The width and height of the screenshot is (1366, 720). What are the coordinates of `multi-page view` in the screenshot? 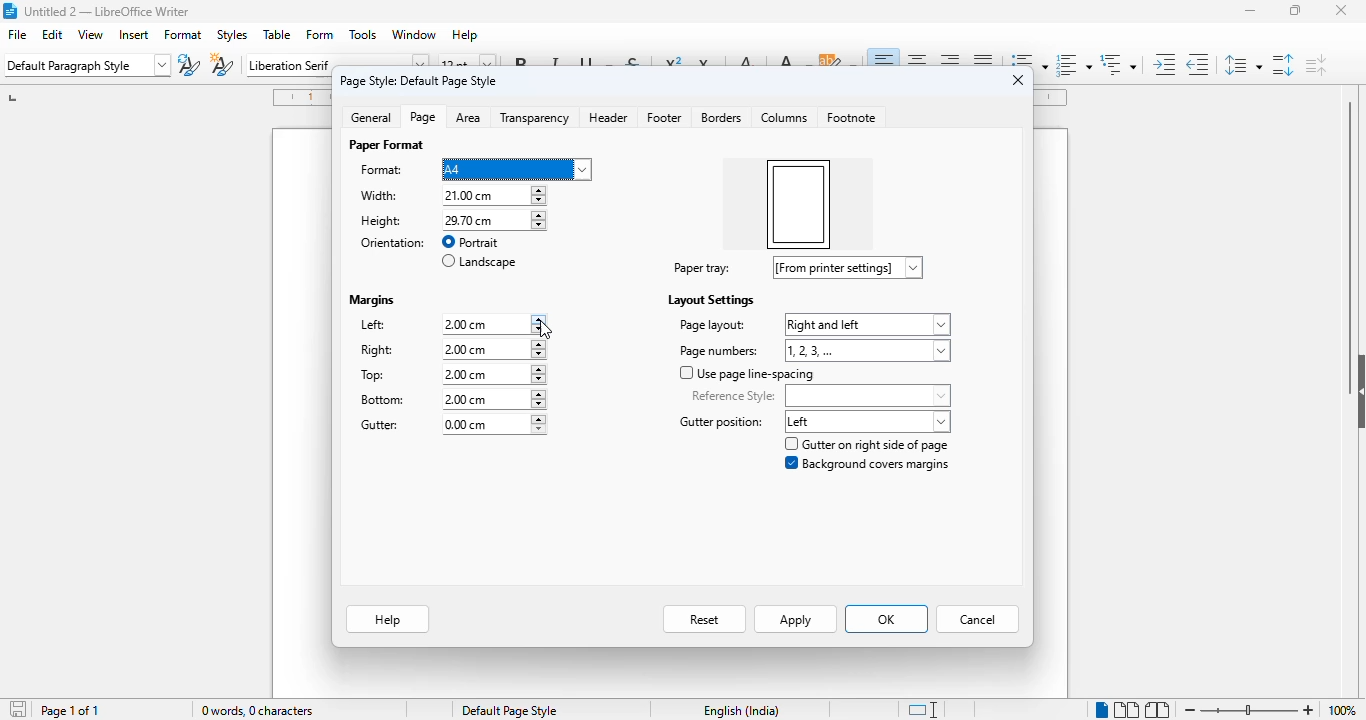 It's located at (1126, 709).